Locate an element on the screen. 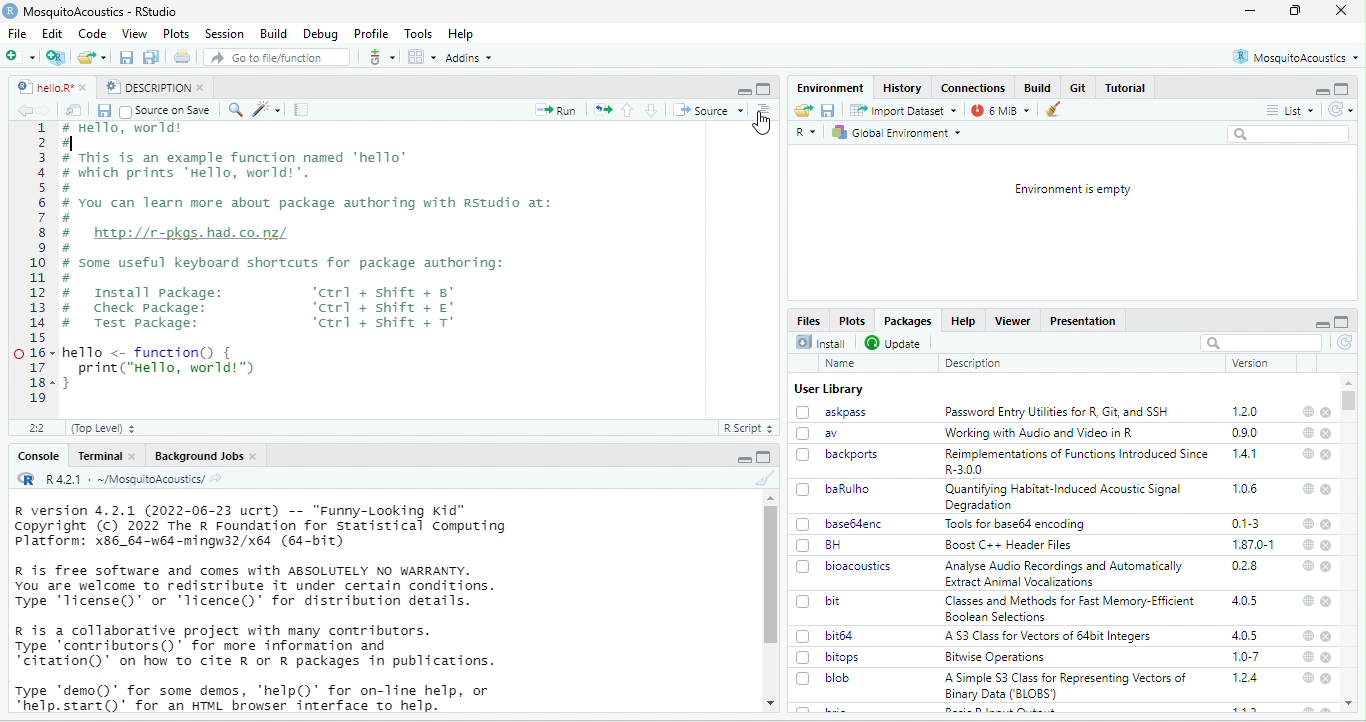 Image resolution: width=1366 pixels, height=722 pixels. Terminal is located at coordinates (105, 455).